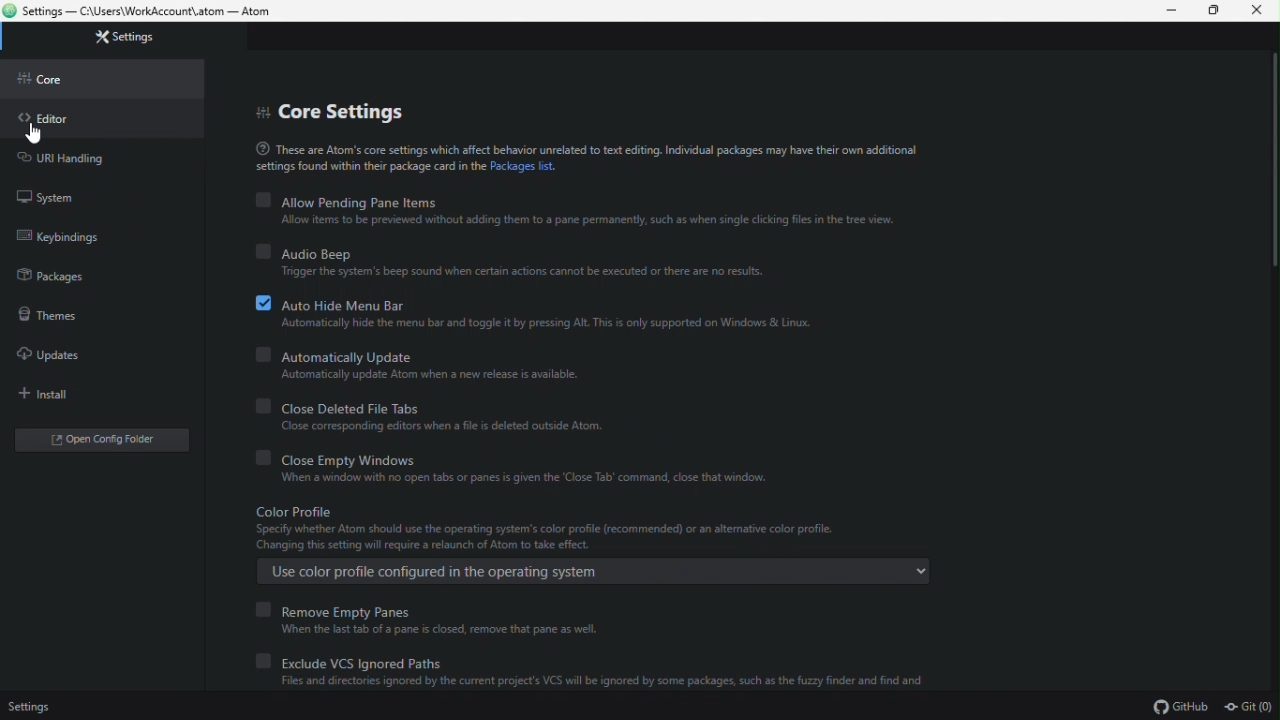  I want to click on Audio beep, so click(514, 255).